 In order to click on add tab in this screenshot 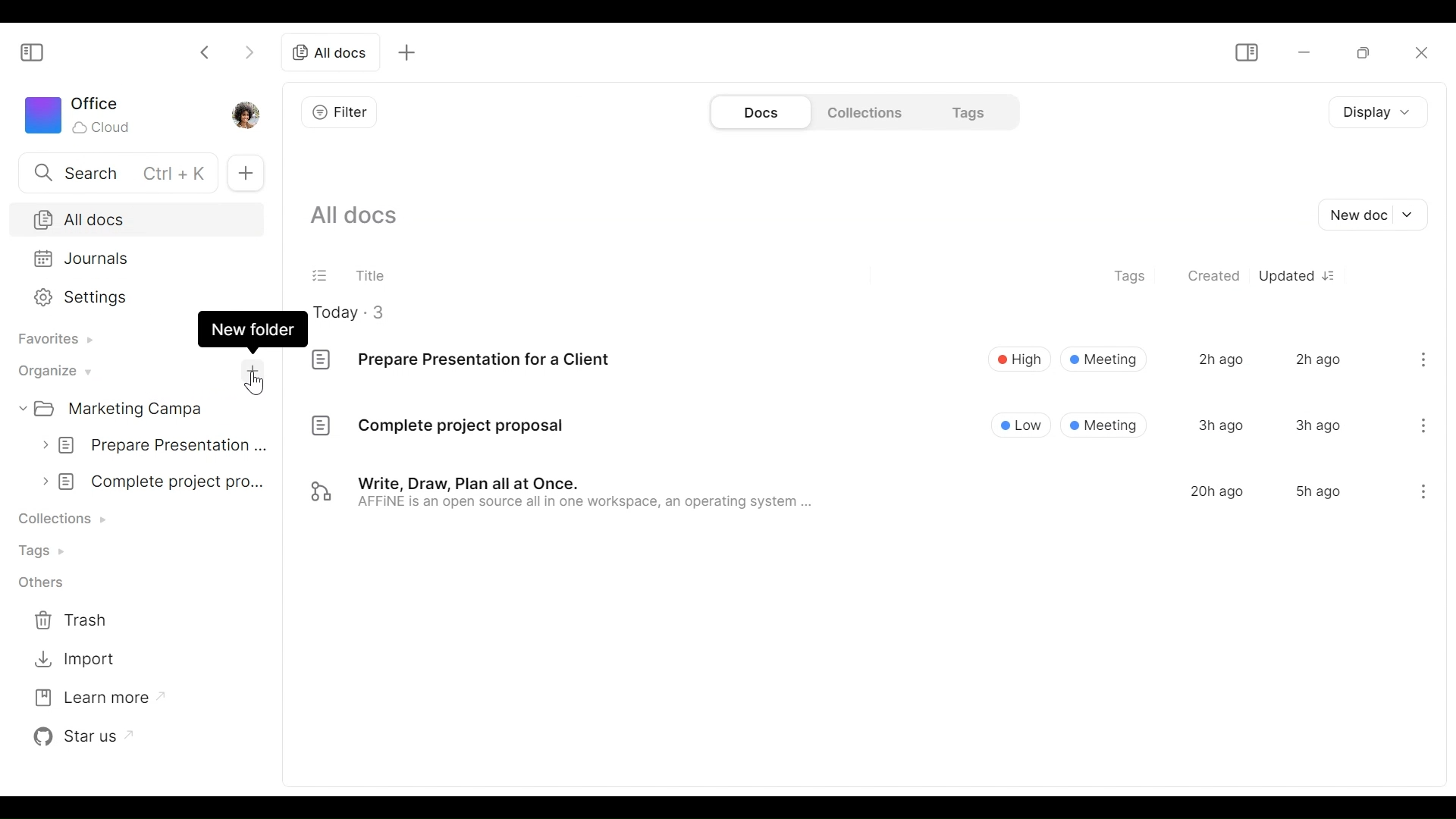, I will do `click(412, 52)`.